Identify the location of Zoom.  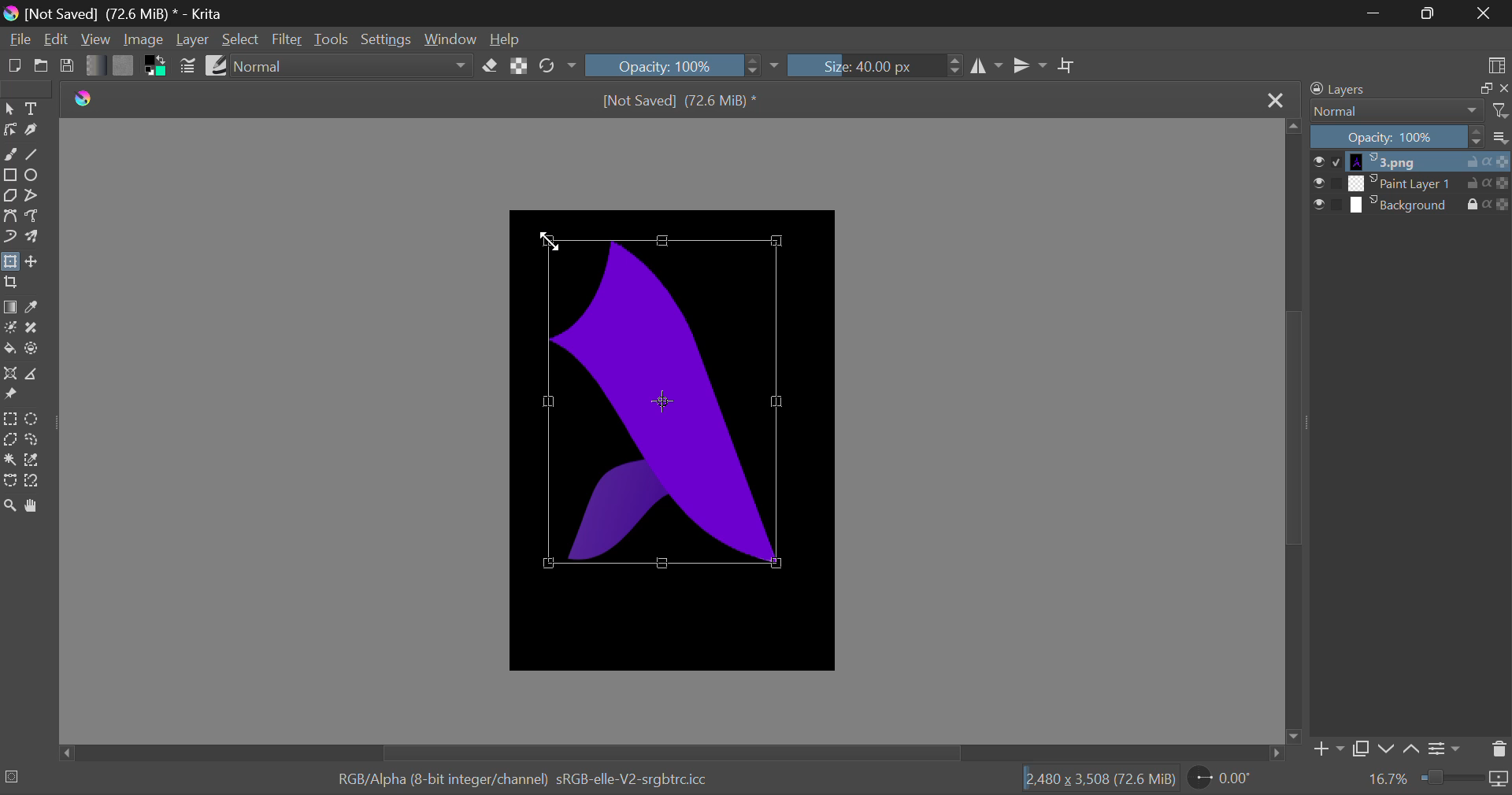
(9, 502).